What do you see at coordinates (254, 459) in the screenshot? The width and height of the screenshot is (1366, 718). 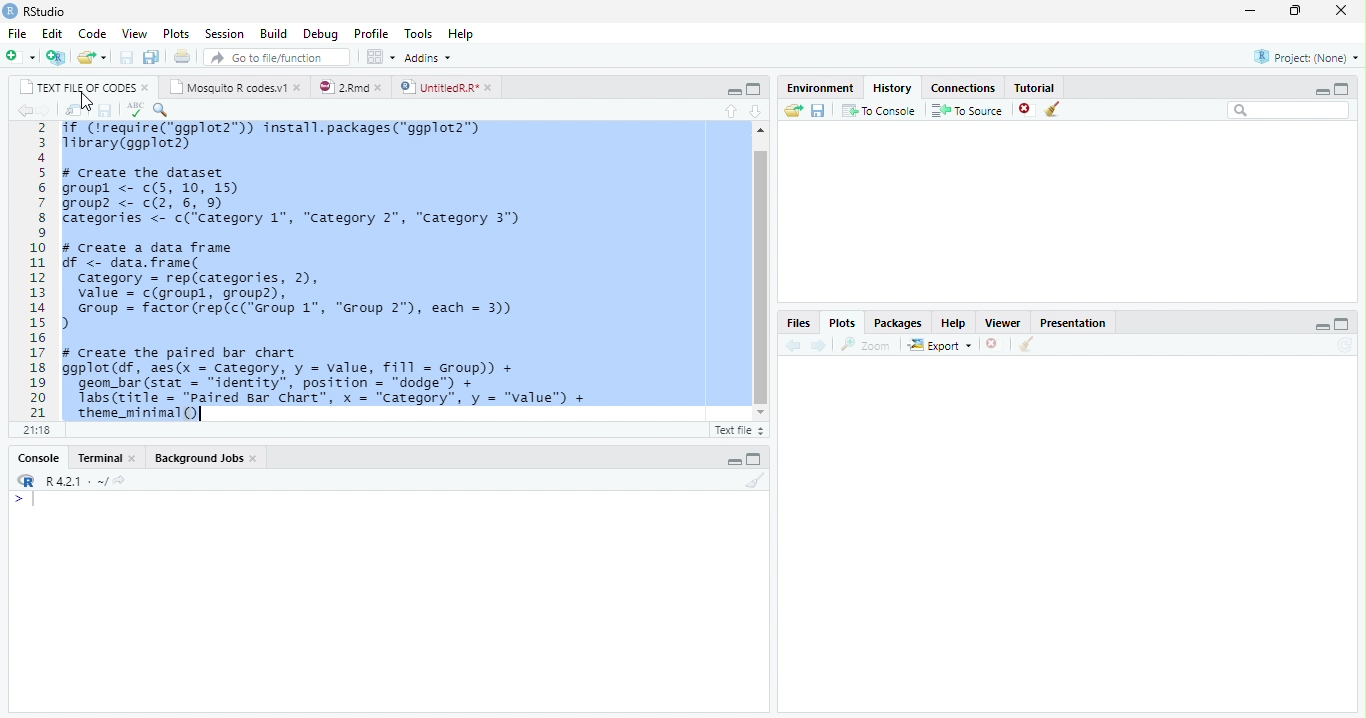 I see `close` at bounding box center [254, 459].